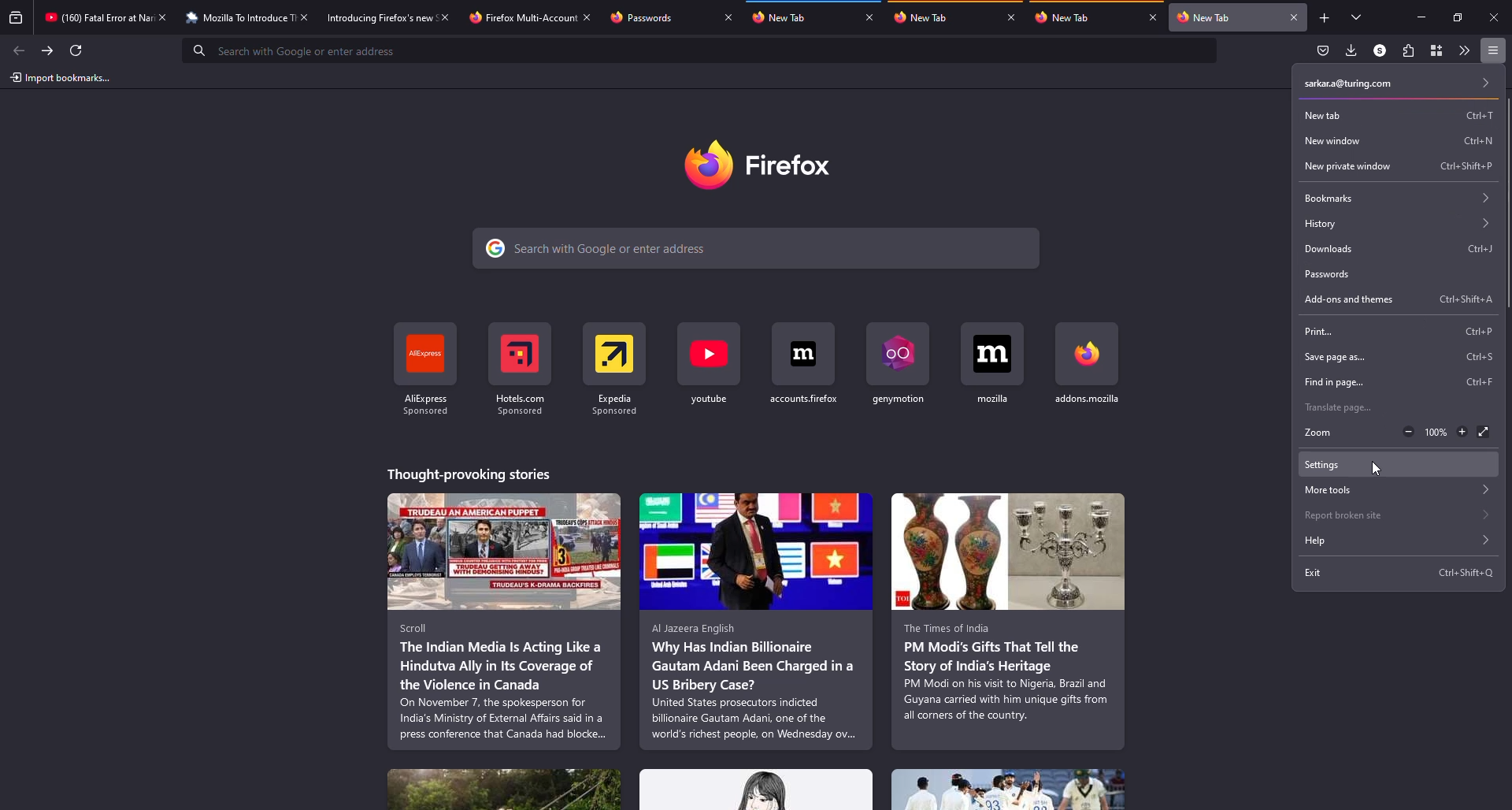 The width and height of the screenshot is (1512, 810). Describe the element at coordinates (1396, 116) in the screenshot. I see `new tab` at that location.